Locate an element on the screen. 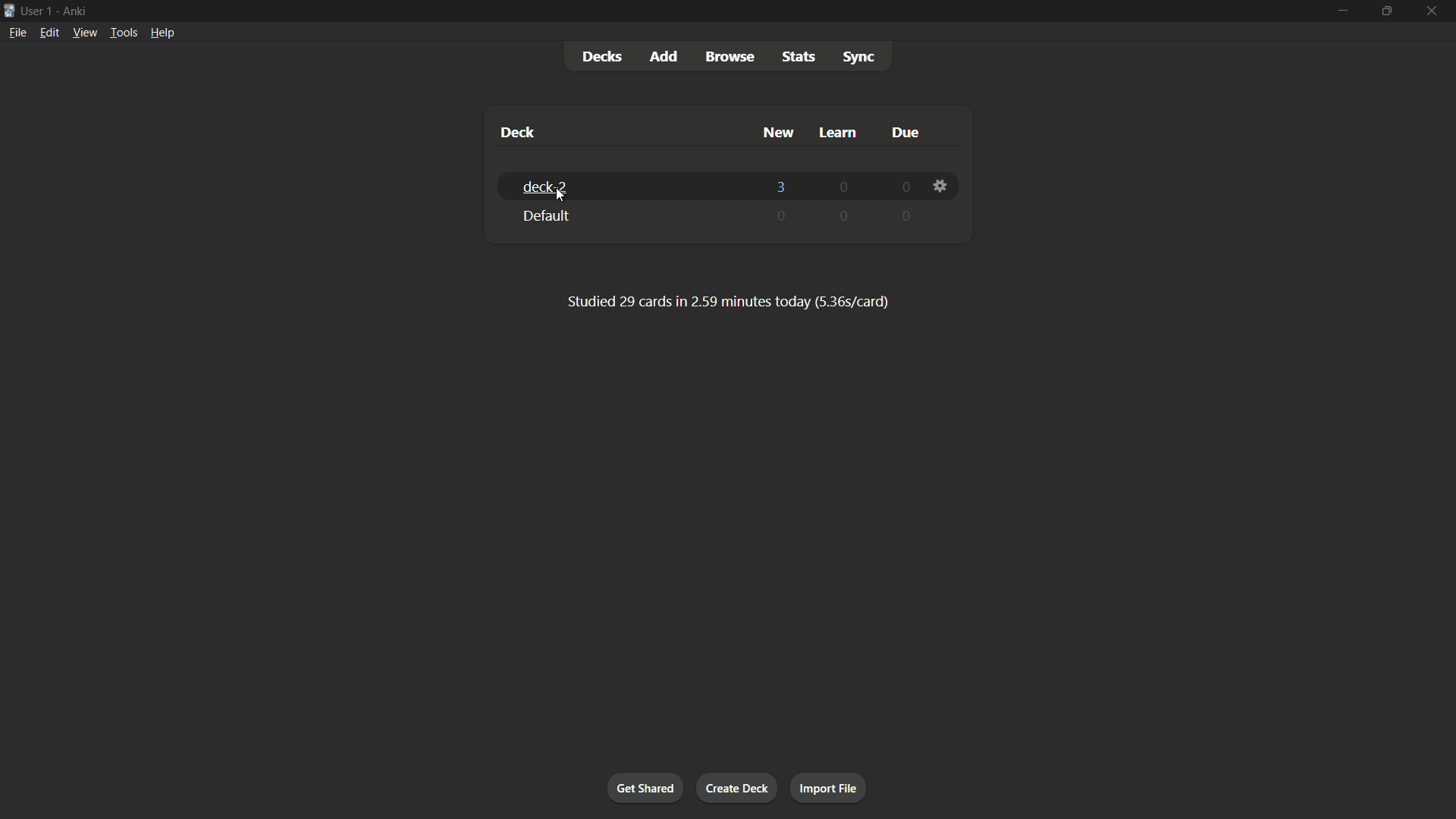 Image resolution: width=1456 pixels, height=819 pixels. import file is located at coordinates (830, 788).